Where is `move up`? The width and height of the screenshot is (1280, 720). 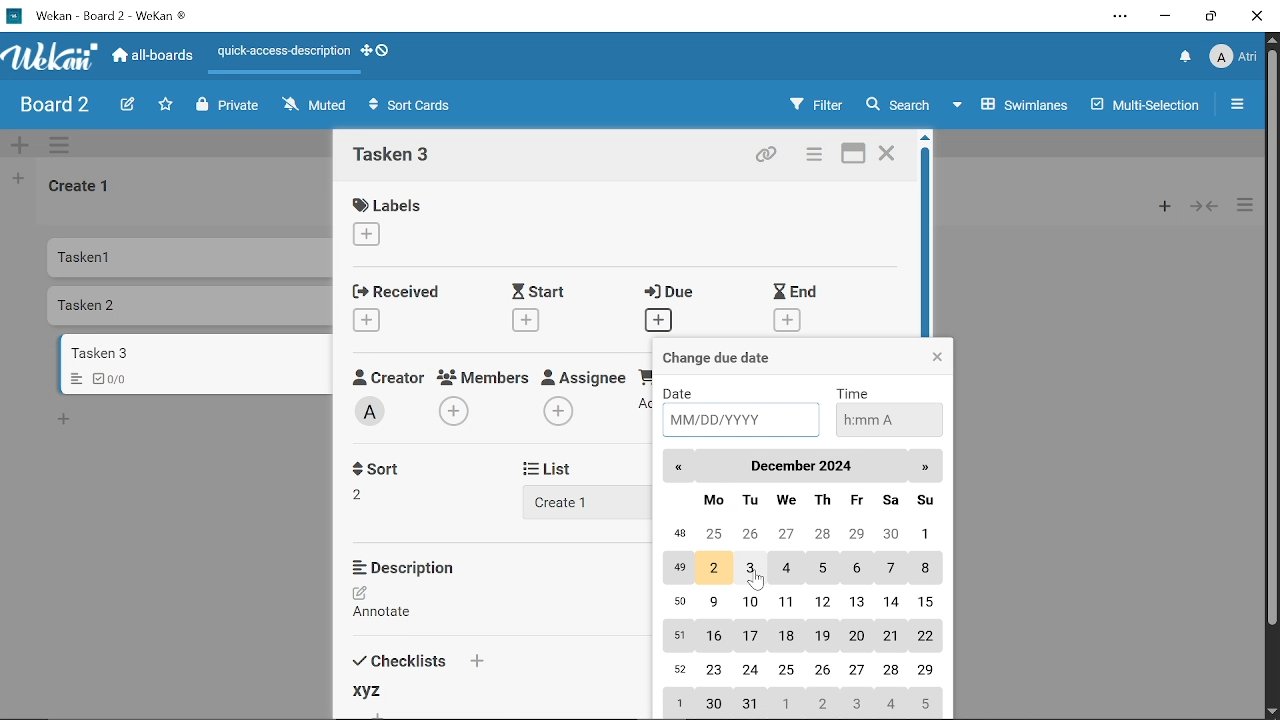
move up is located at coordinates (924, 141).